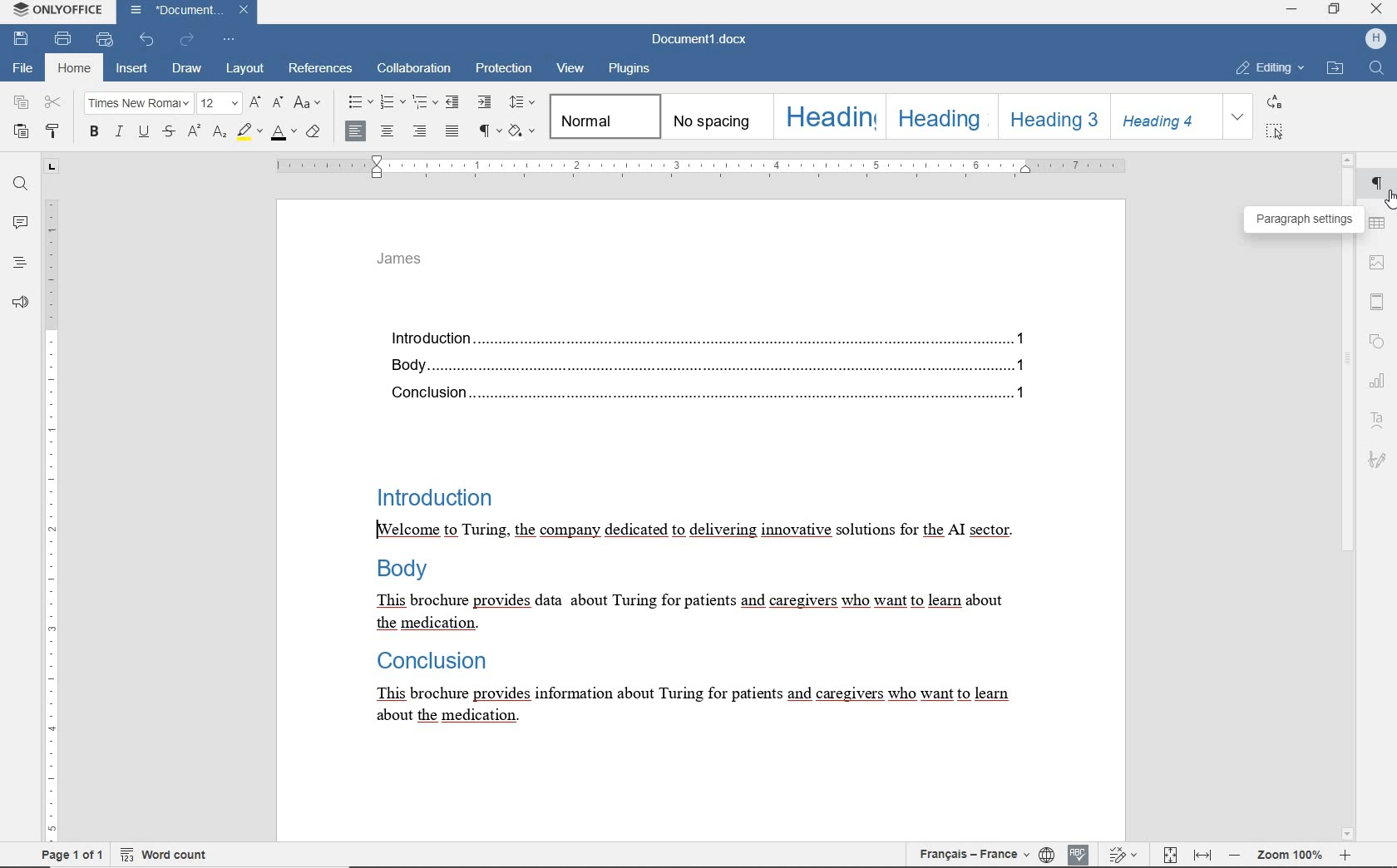 The width and height of the screenshot is (1397, 868). I want to click on find, so click(1377, 67).